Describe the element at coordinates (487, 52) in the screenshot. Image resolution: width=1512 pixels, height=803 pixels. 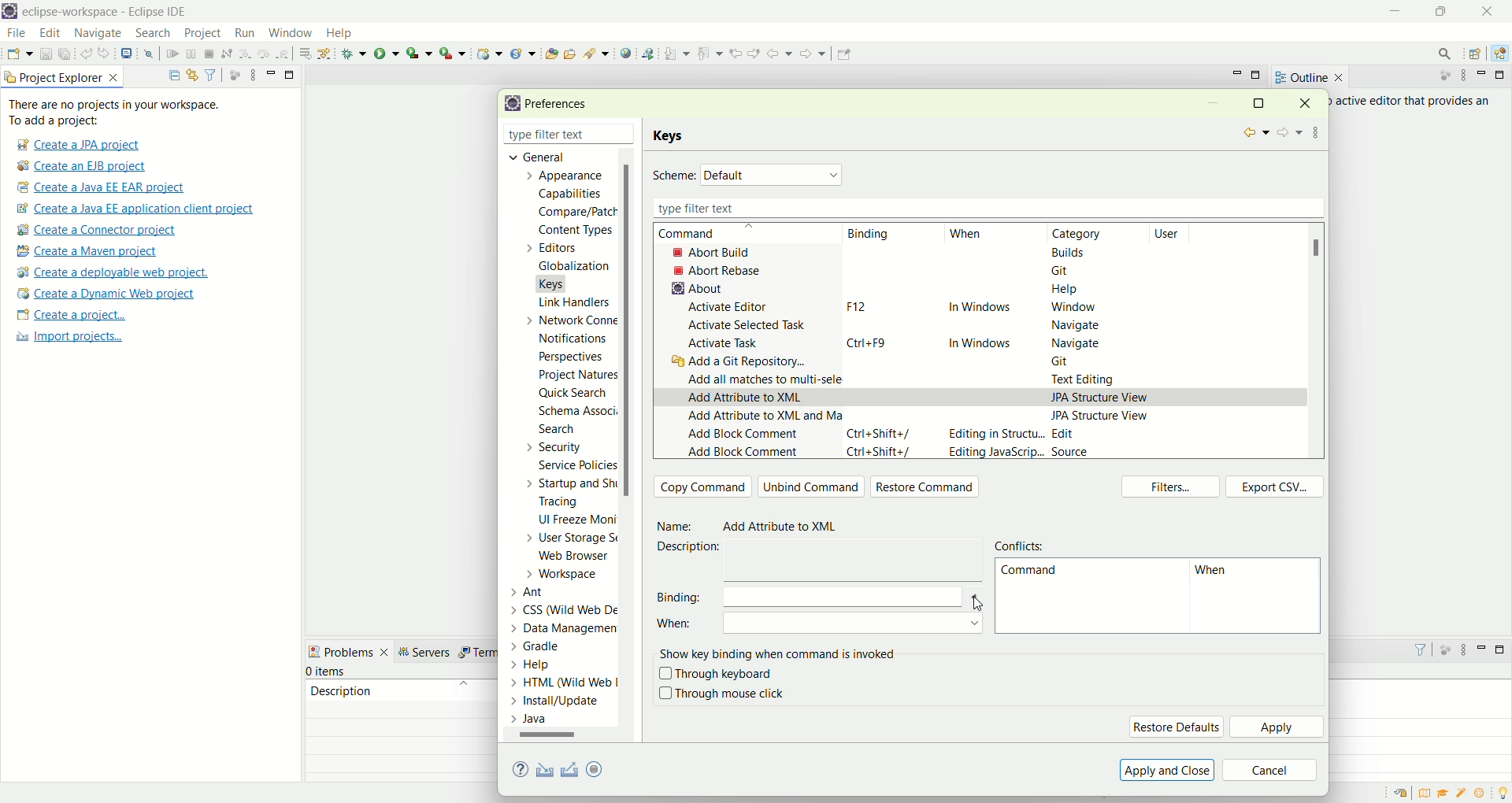
I see `create a dynamic web project` at that location.